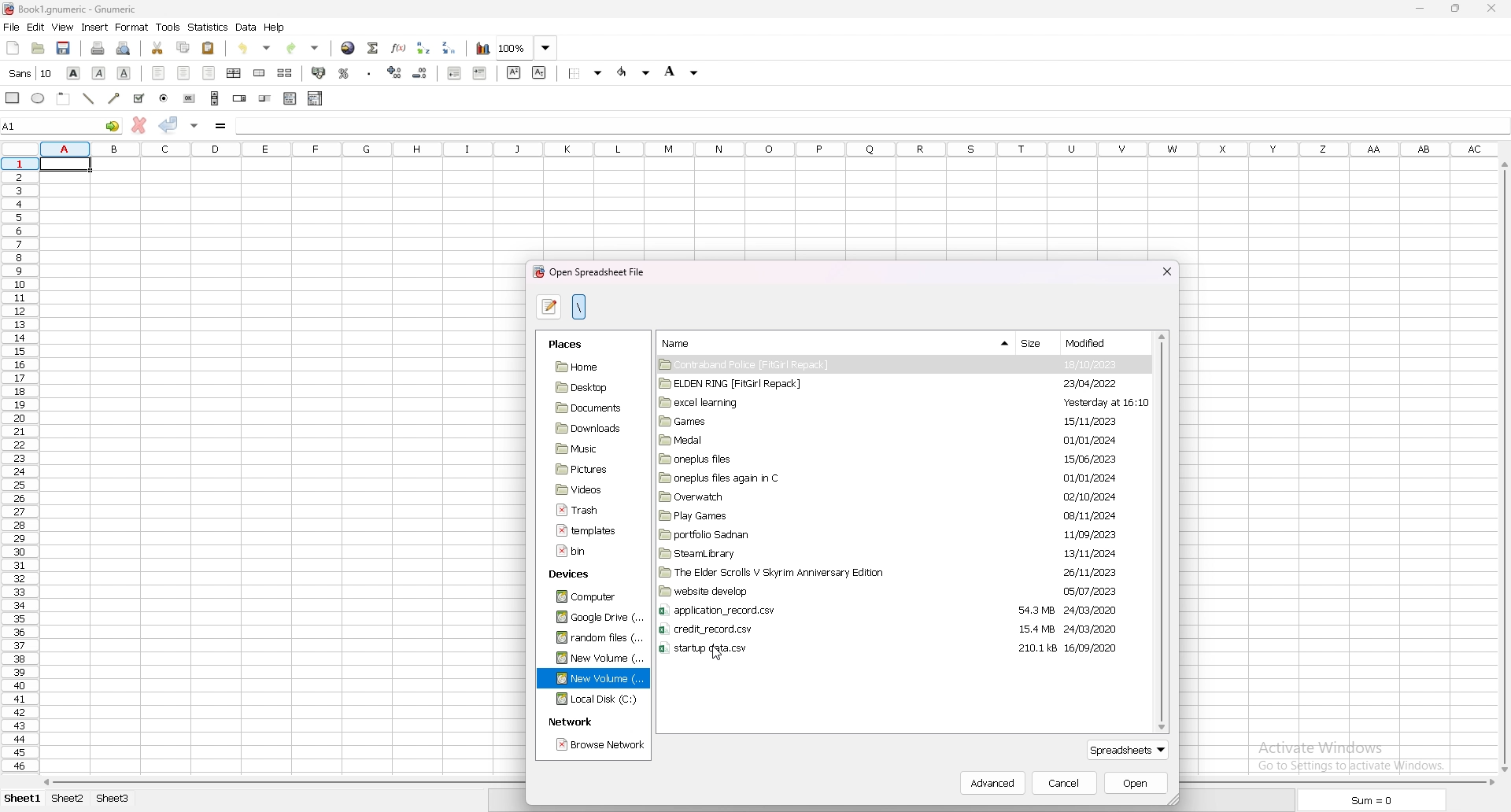 Image resolution: width=1511 pixels, height=812 pixels. I want to click on underline, so click(124, 74).